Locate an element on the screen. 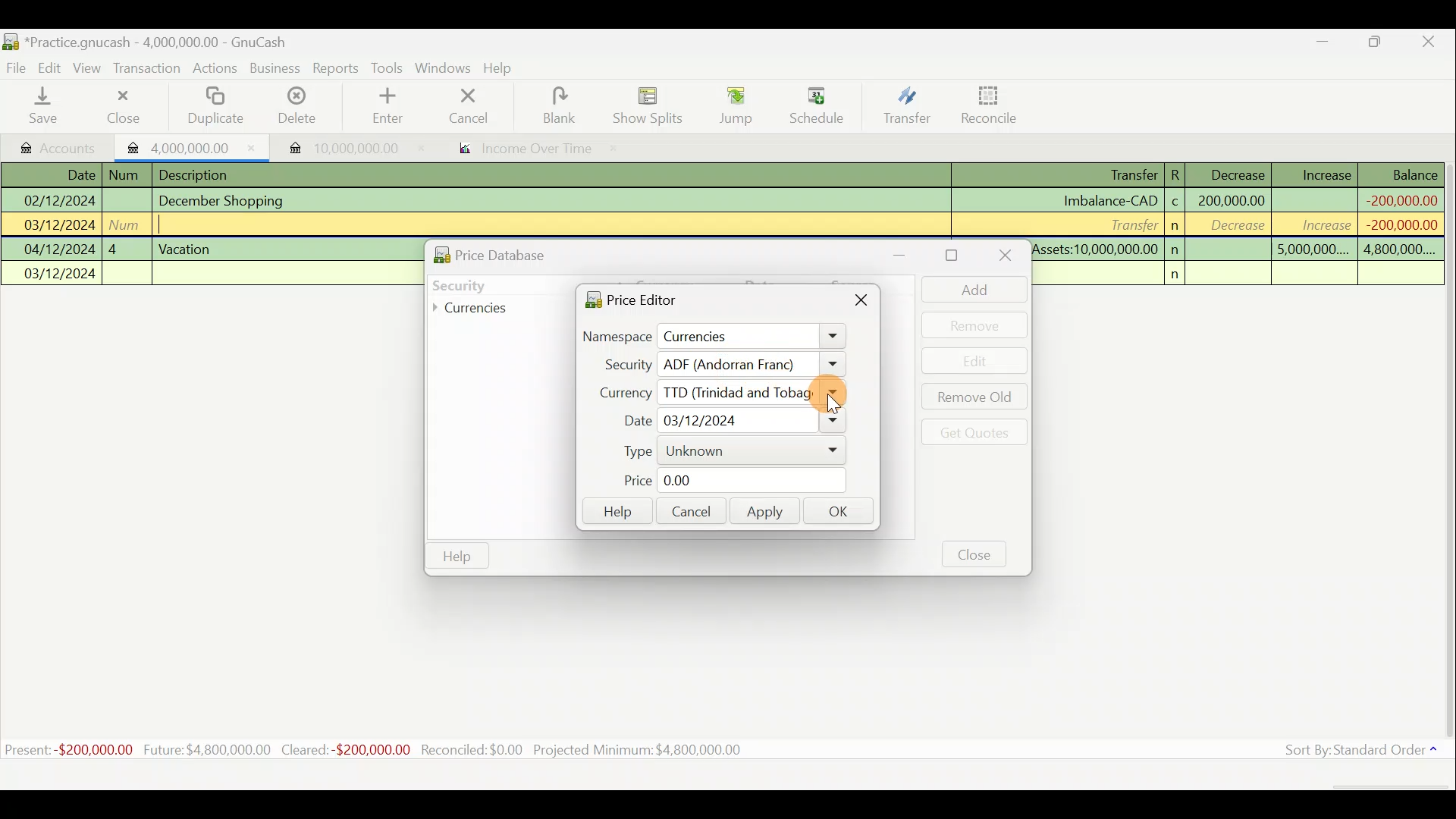 The image size is (1456, 819). n is located at coordinates (1177, 226).